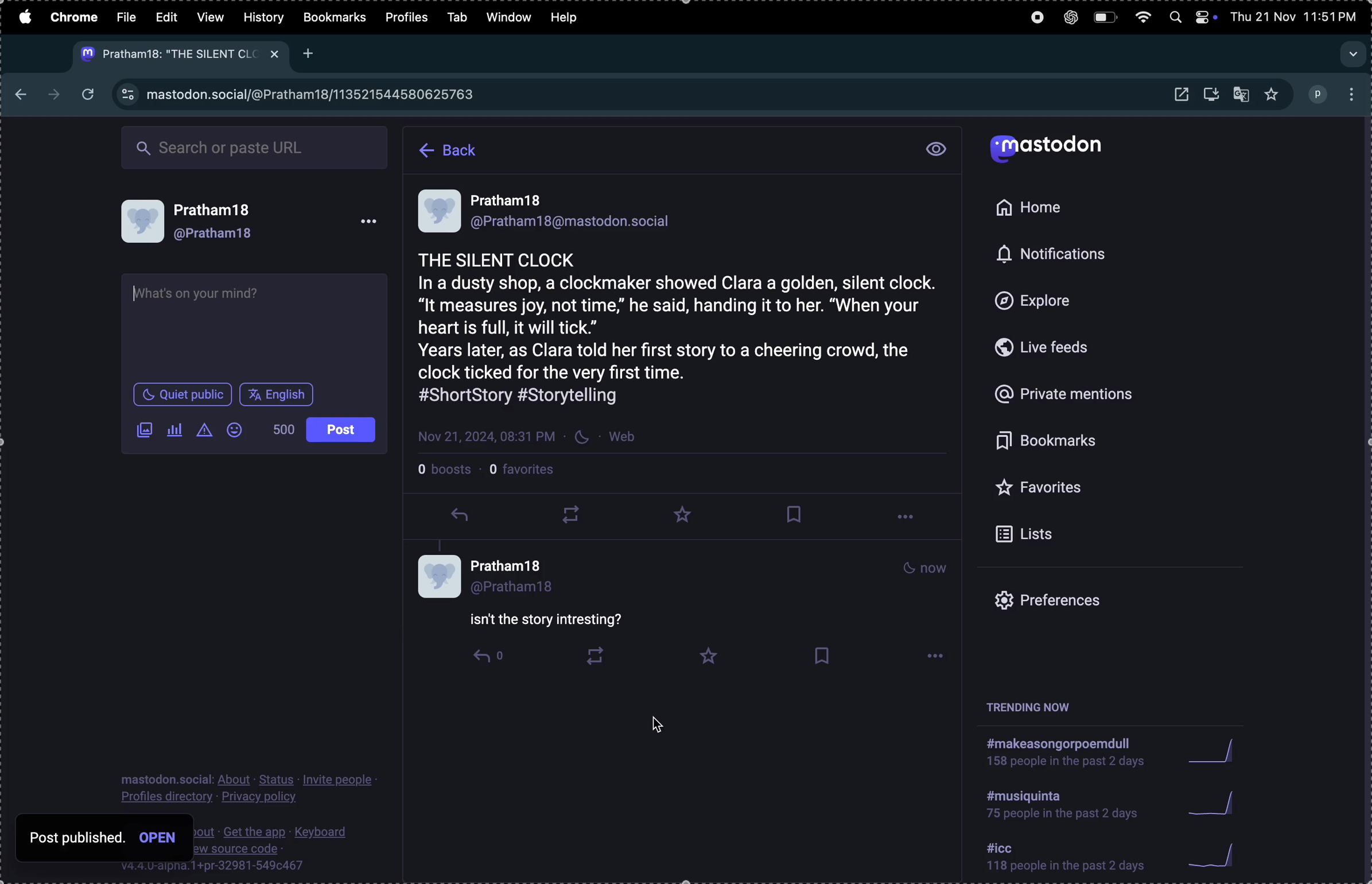 The height and width of the screenshot is (884, 1372). What do you see at coordinates (53, 92) in the screenshot?
I see `next page` at bounding box center [53, 92].